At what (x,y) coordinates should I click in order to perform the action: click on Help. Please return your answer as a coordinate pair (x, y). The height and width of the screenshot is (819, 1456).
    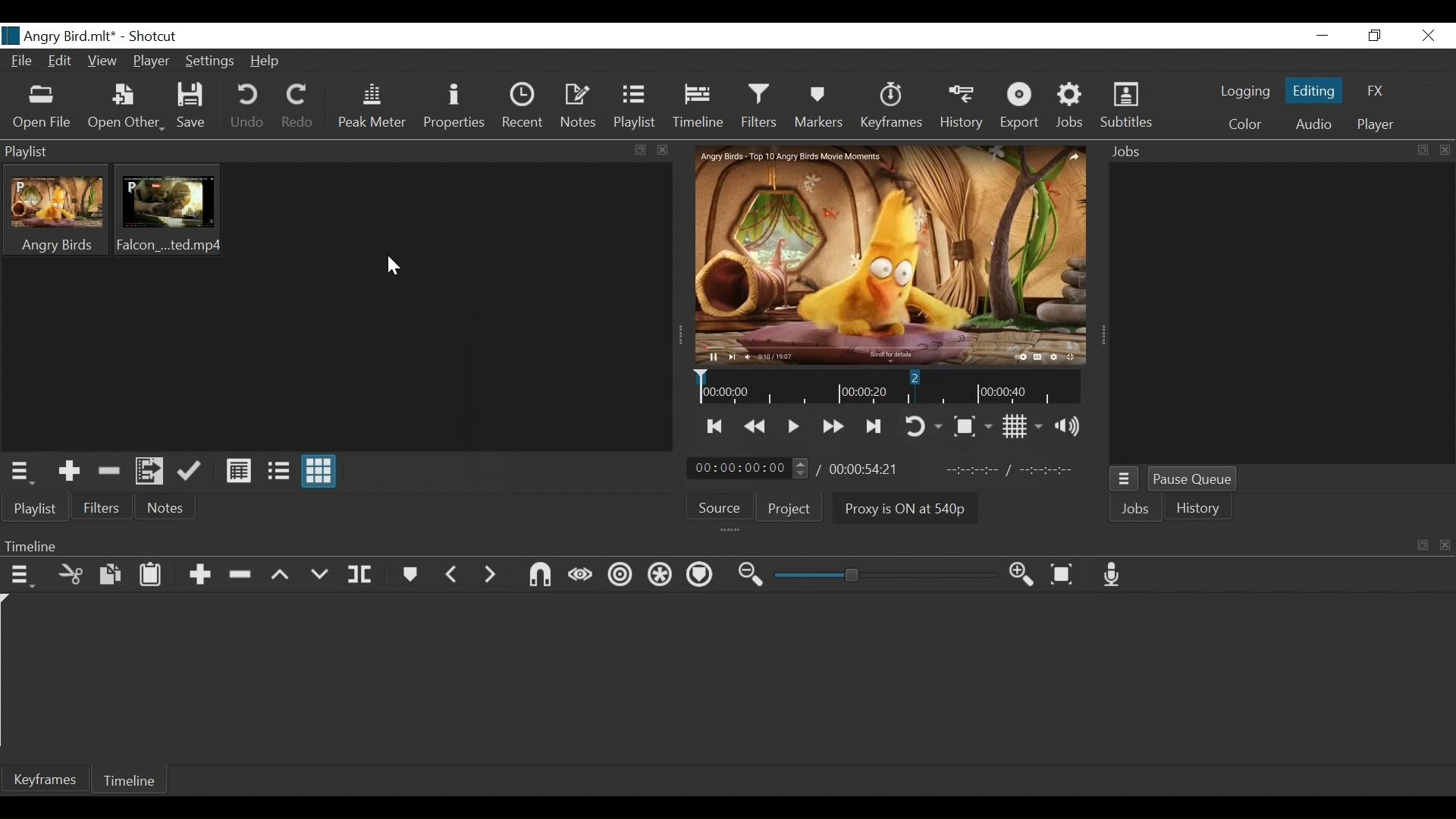
    Looking at the image, I should click on (268, 62).